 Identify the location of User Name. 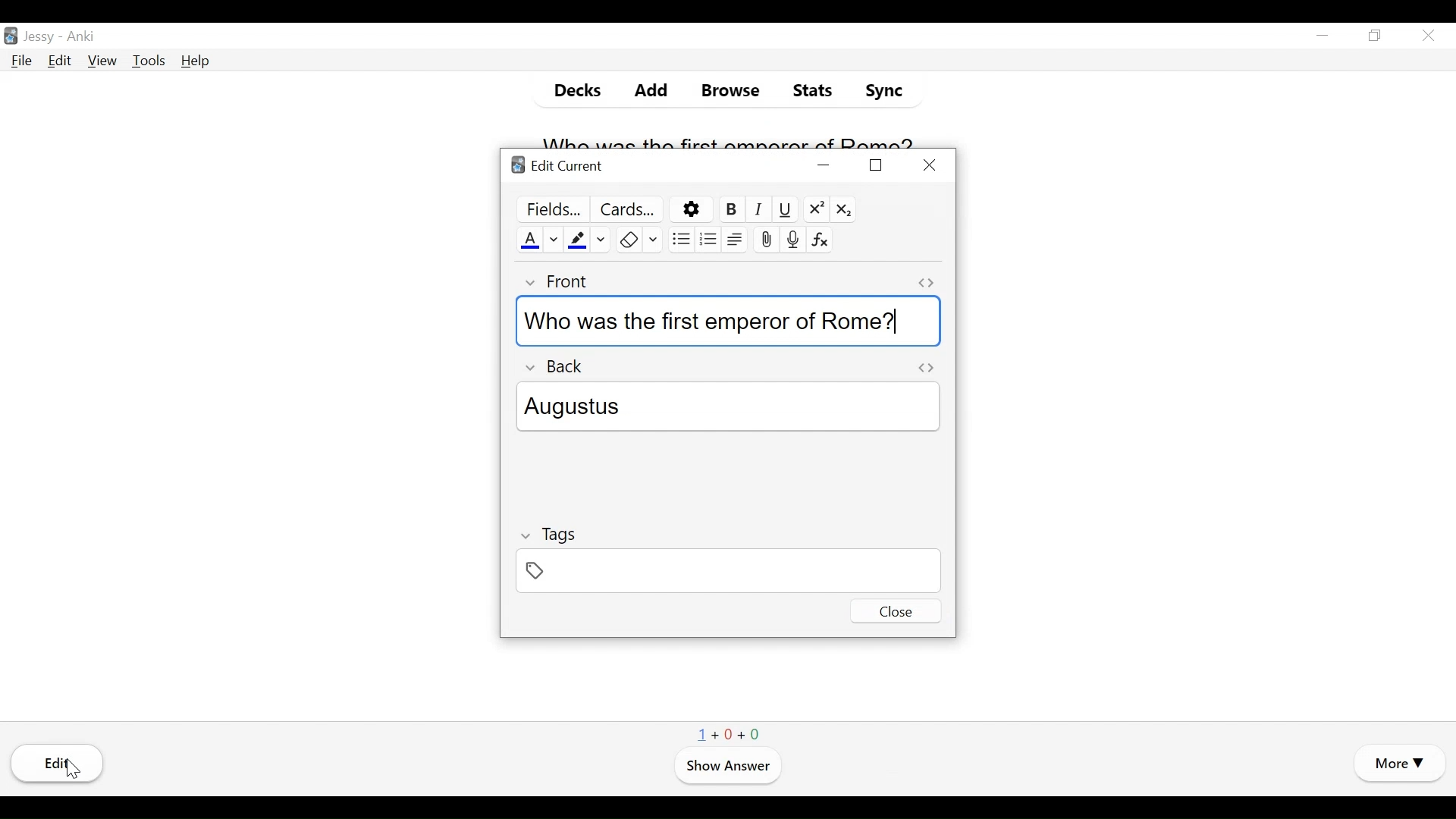
(39, 38).